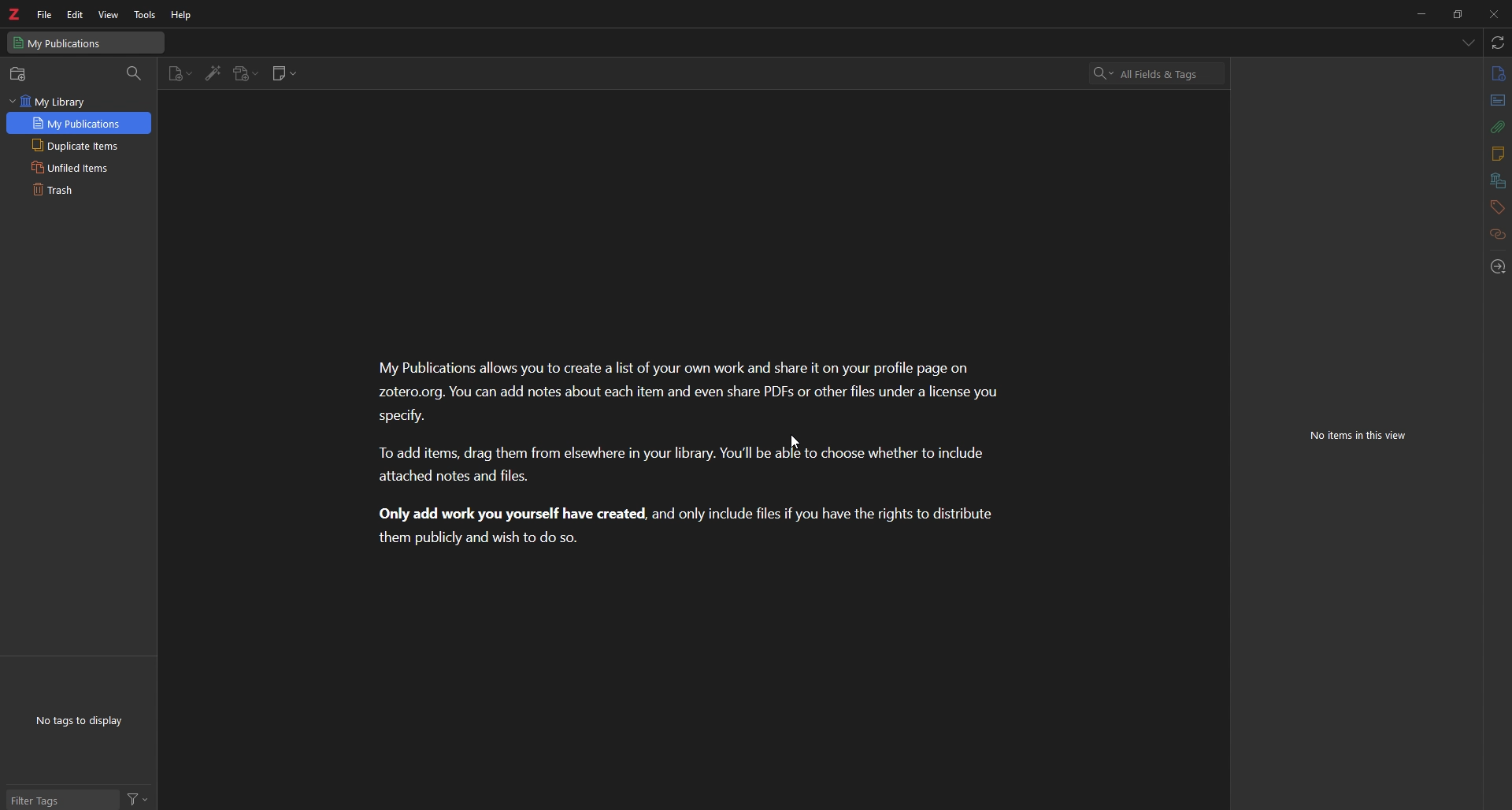 This screenshot has height=810, width=1512. What do you see at coordinates (1361, 437) in the screenshot?
I see `items in view` at bounding box center [1361, 437].